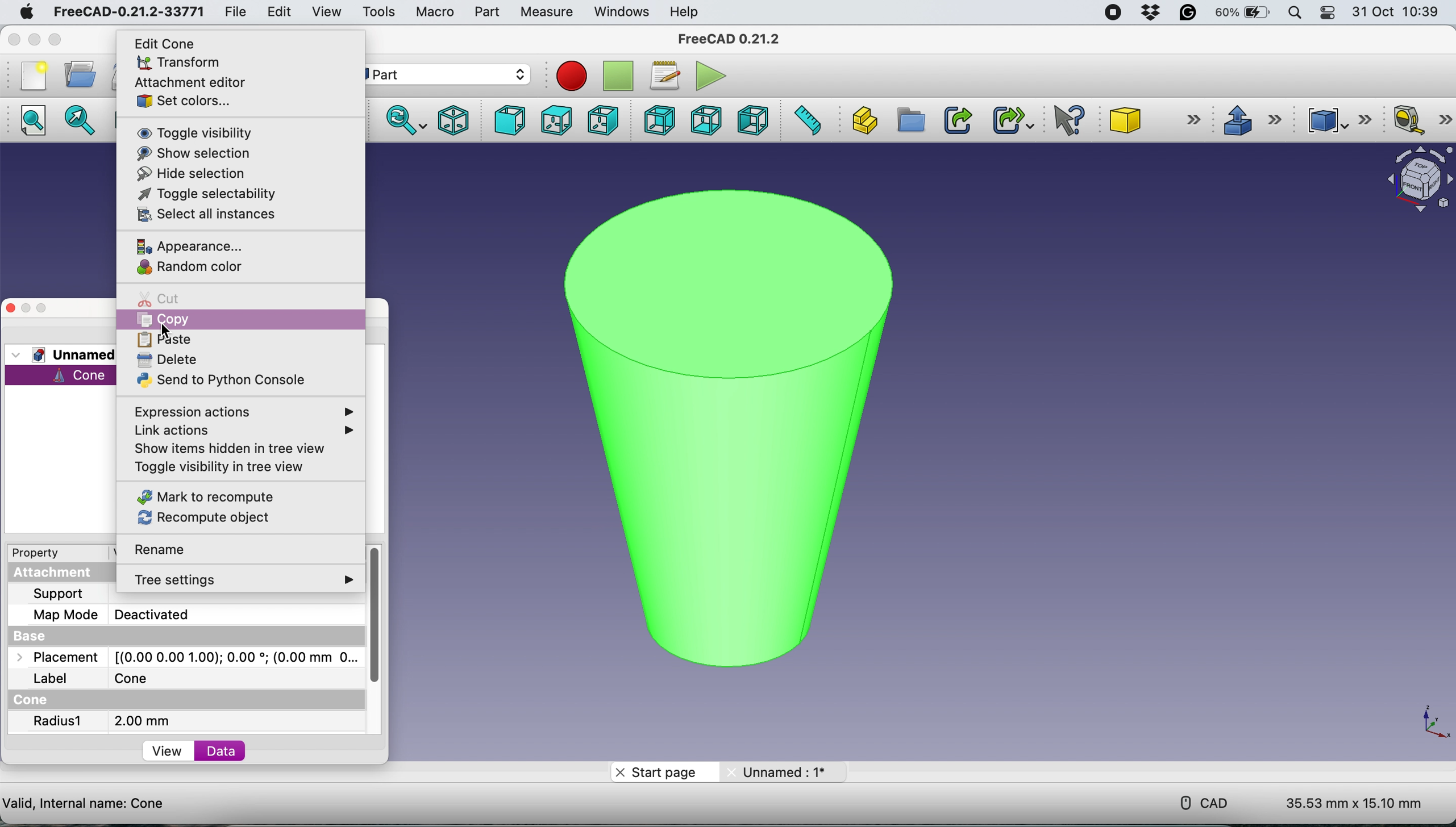 This screenshot has width=1456, height=827. Describe the element at coordinates (1157, 122) in the screenshot. I see `cone` at that location.